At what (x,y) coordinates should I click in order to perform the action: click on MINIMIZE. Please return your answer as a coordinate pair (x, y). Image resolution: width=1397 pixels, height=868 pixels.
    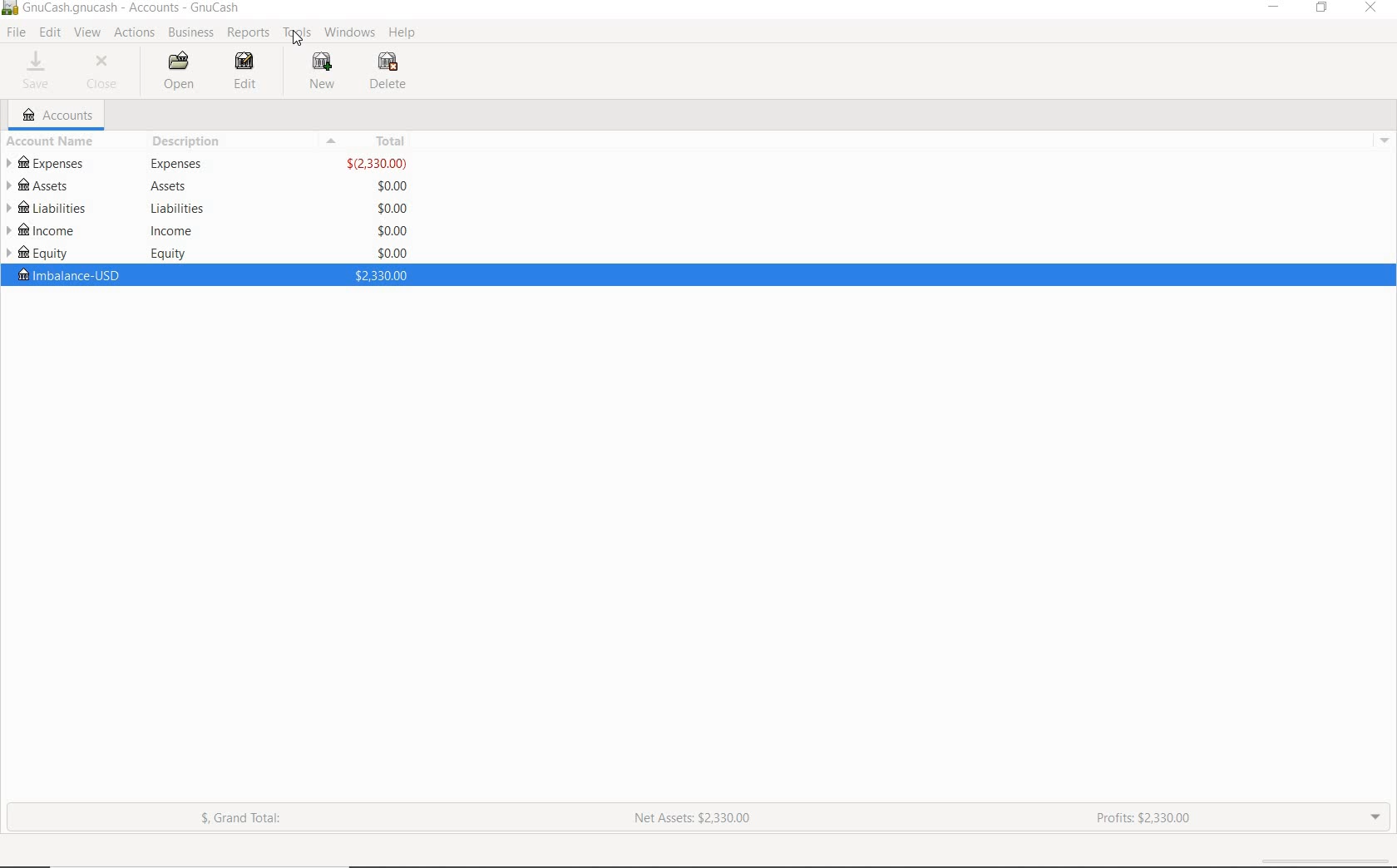
    Looking at the image, I should click on (1273, 7).